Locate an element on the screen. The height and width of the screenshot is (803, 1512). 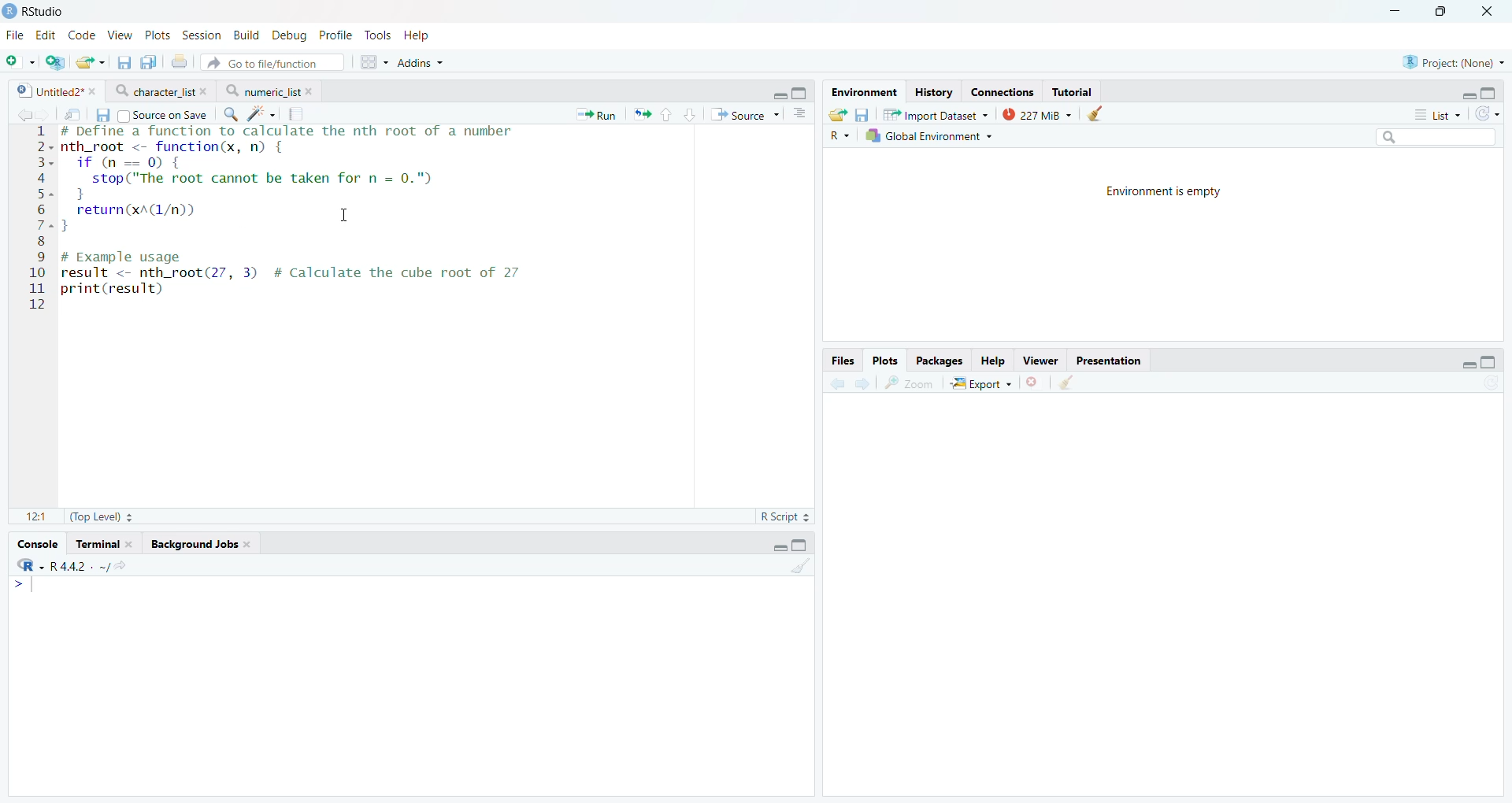
Export history log is located at coordinates (839, 115).